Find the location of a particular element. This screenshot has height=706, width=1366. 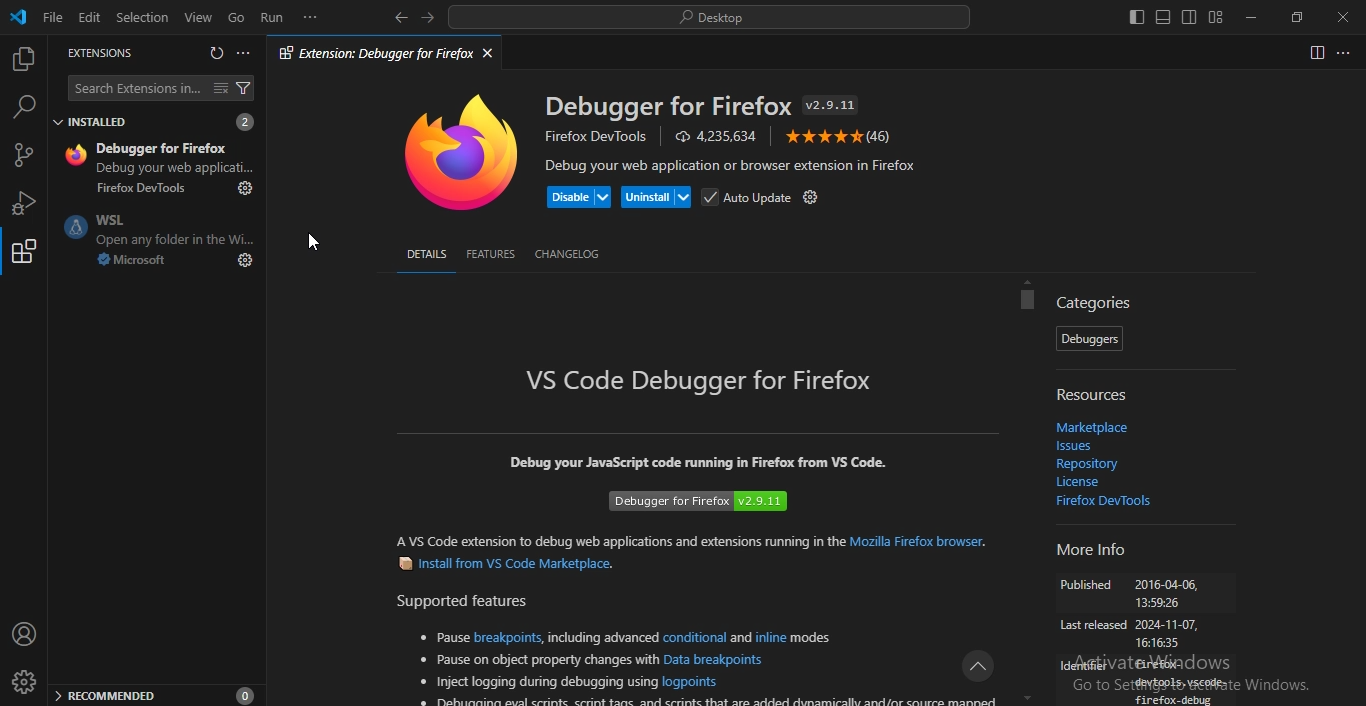

run is located at coordinates (273, 17).